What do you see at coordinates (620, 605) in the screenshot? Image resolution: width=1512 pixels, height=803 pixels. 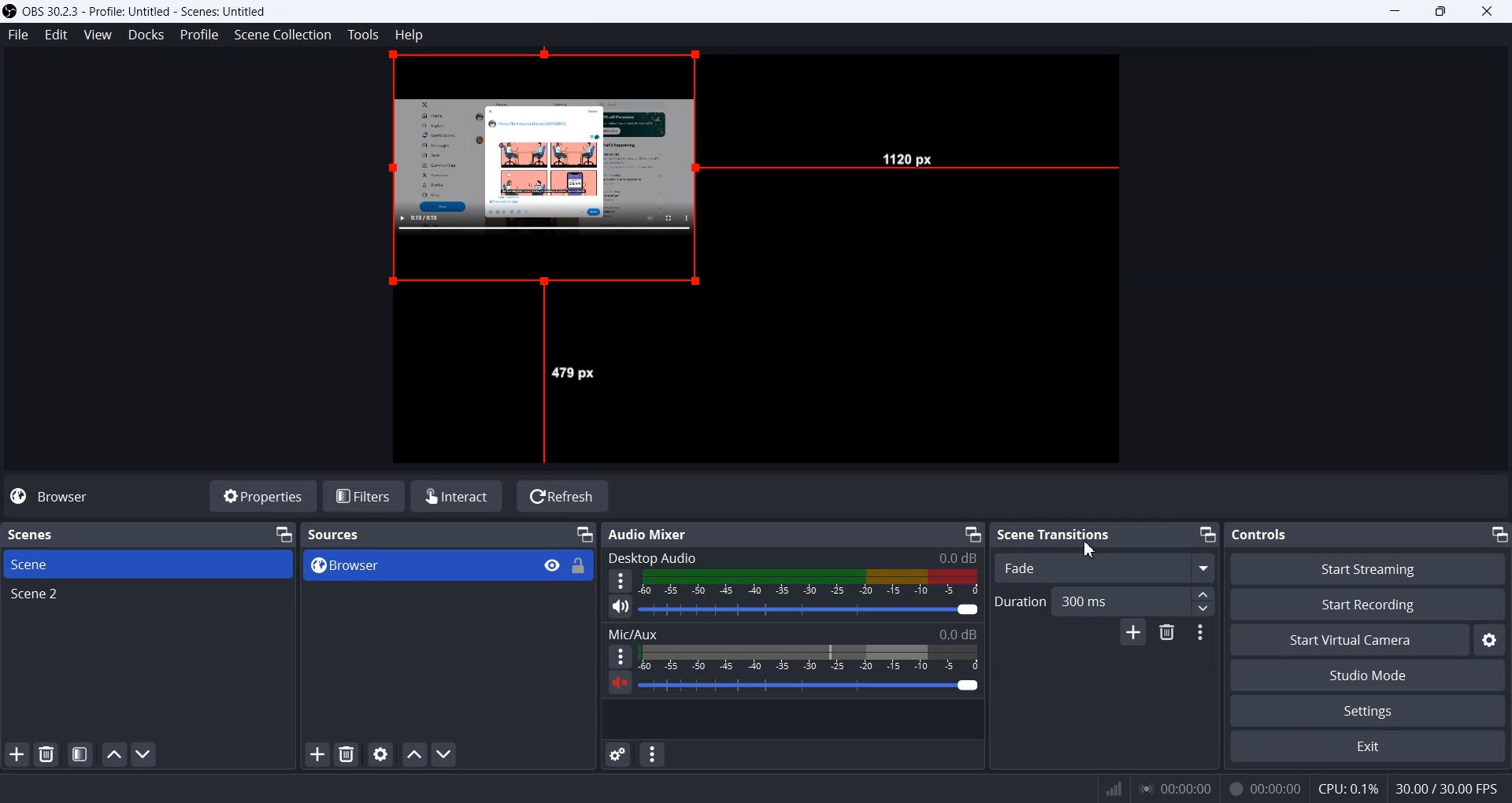 I see `Mute/unmute` at bounding box center [620, 605].